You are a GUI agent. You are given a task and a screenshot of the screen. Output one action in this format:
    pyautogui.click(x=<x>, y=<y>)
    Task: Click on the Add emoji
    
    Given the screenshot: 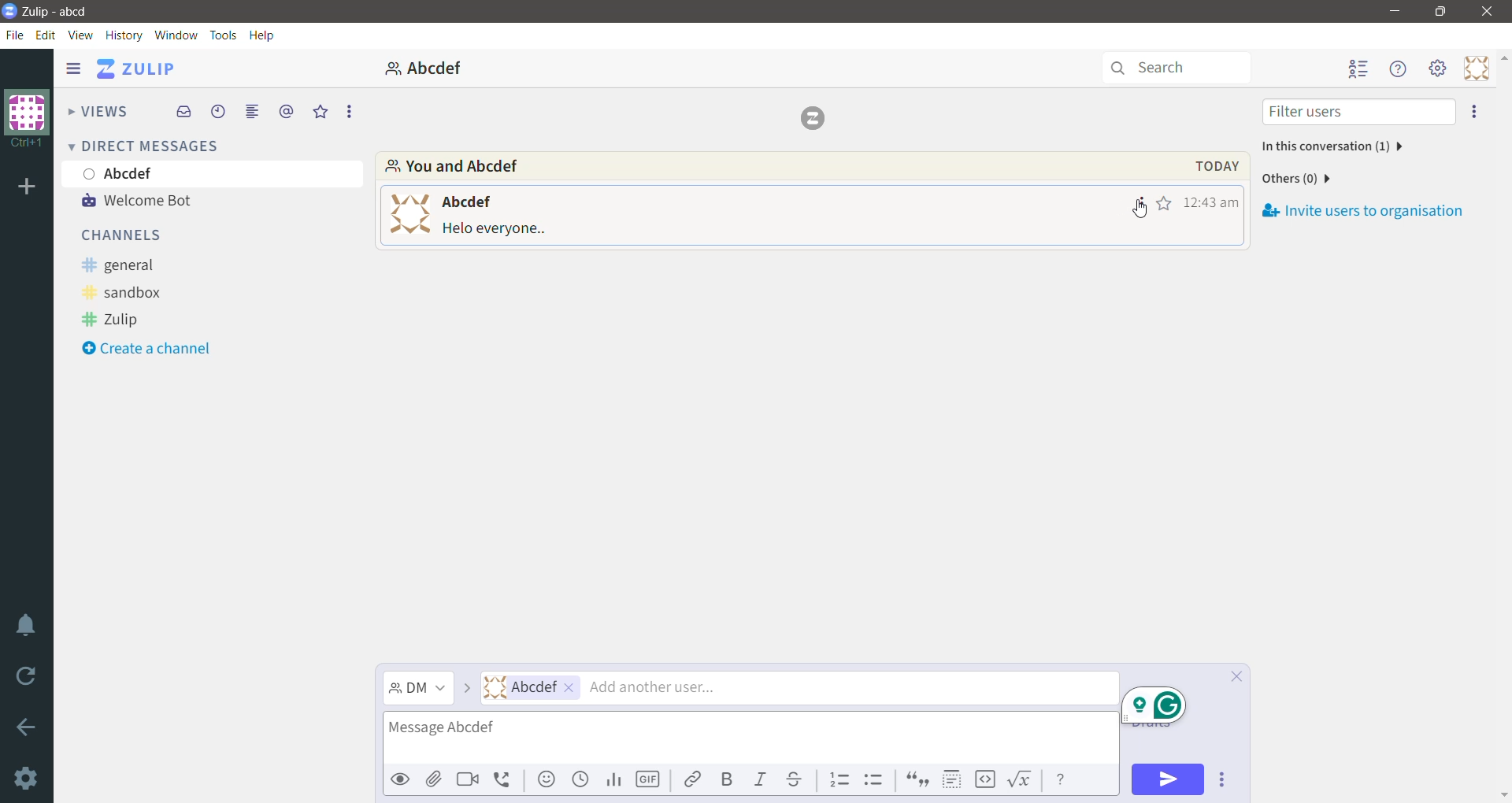 What is the action you would take?
    pyautogui.click(x=547, y=779)
    